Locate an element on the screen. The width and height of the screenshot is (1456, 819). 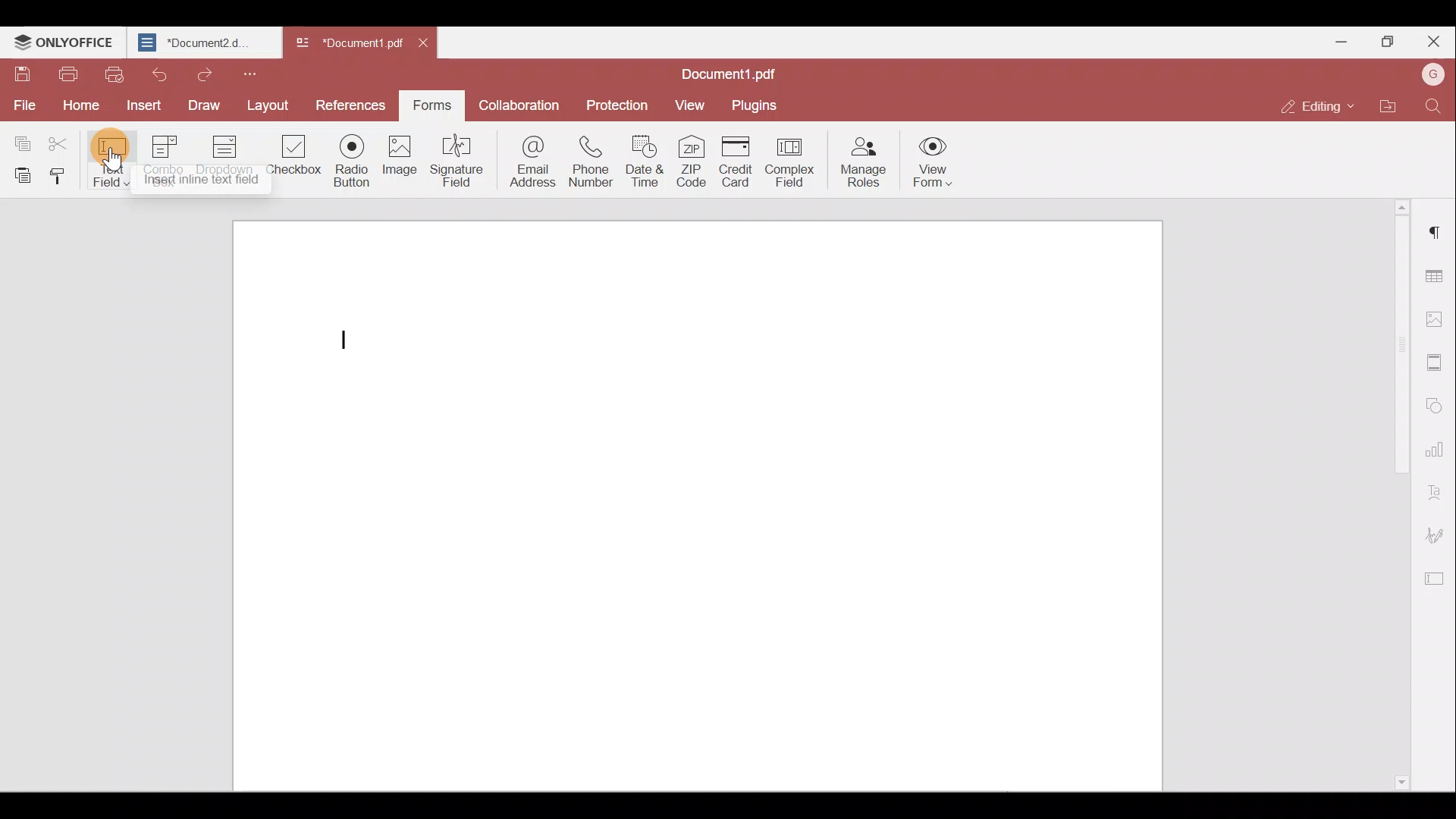
Manage roles is located at coordinates (868, 163).